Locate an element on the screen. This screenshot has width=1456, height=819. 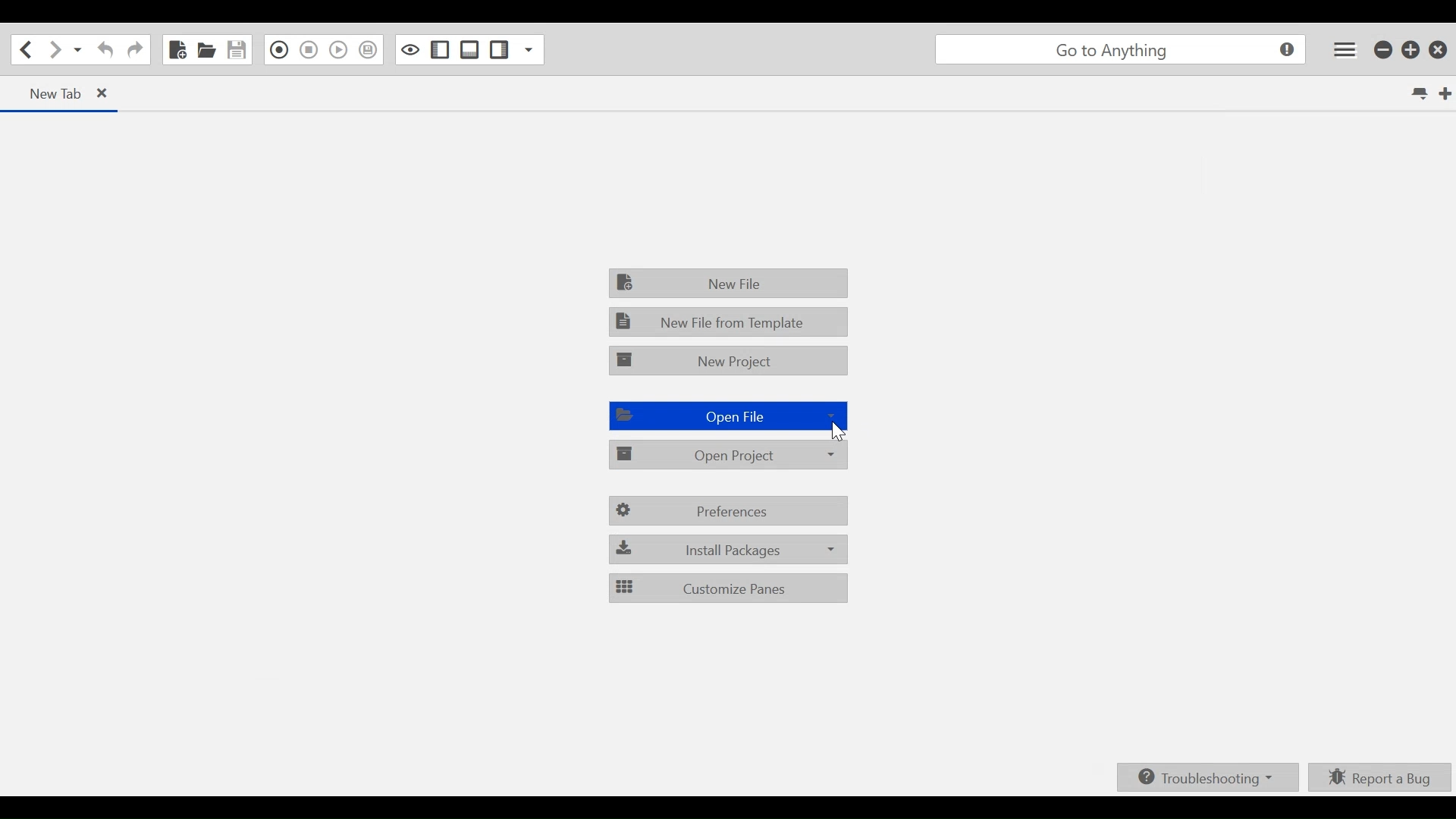
Install Packages is located at coordinates (729, 550).